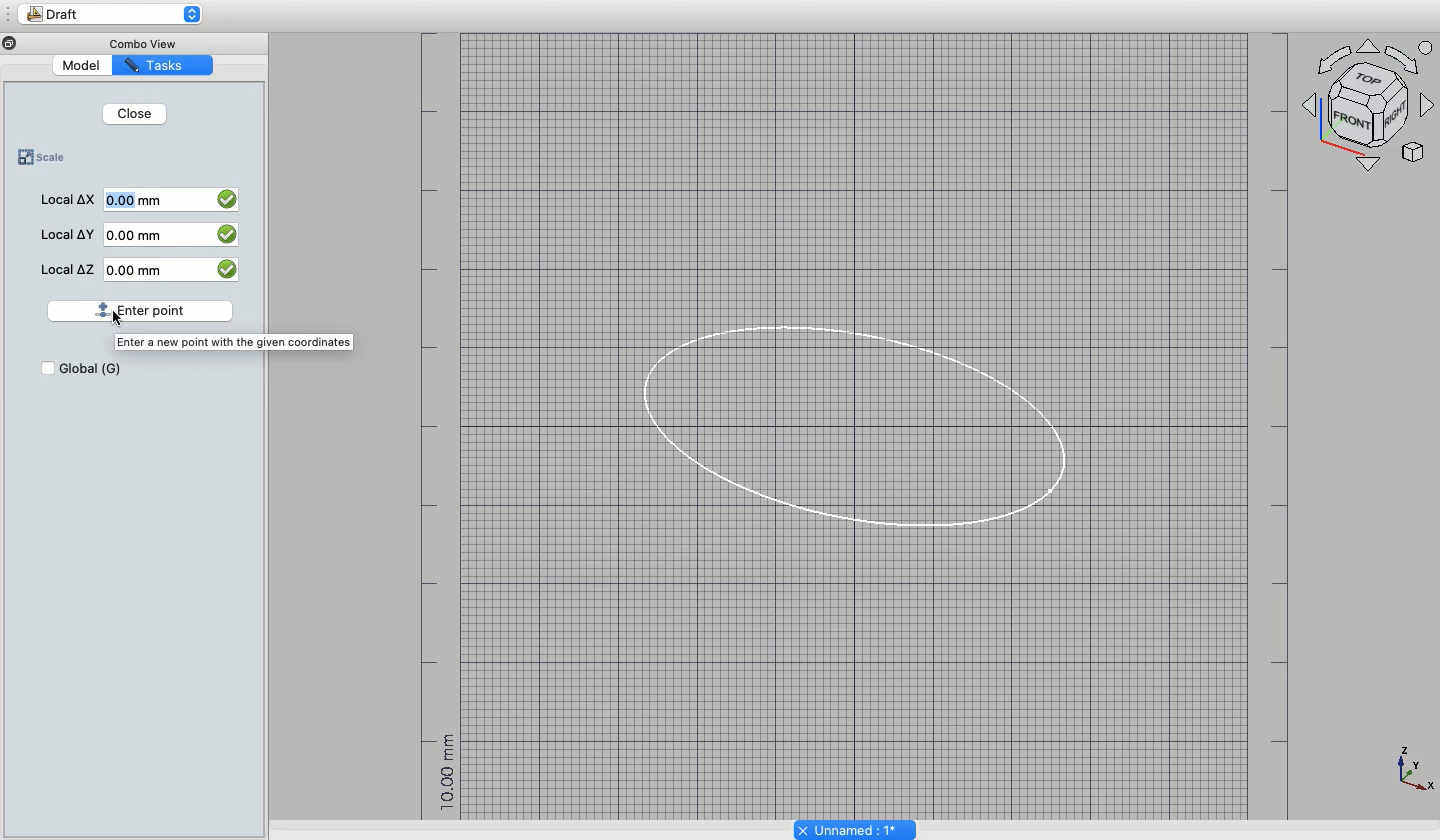  What do you see at coordinates (149, 41) in the screenshot?
I see `Combo View` at bounding box center [149, 41].